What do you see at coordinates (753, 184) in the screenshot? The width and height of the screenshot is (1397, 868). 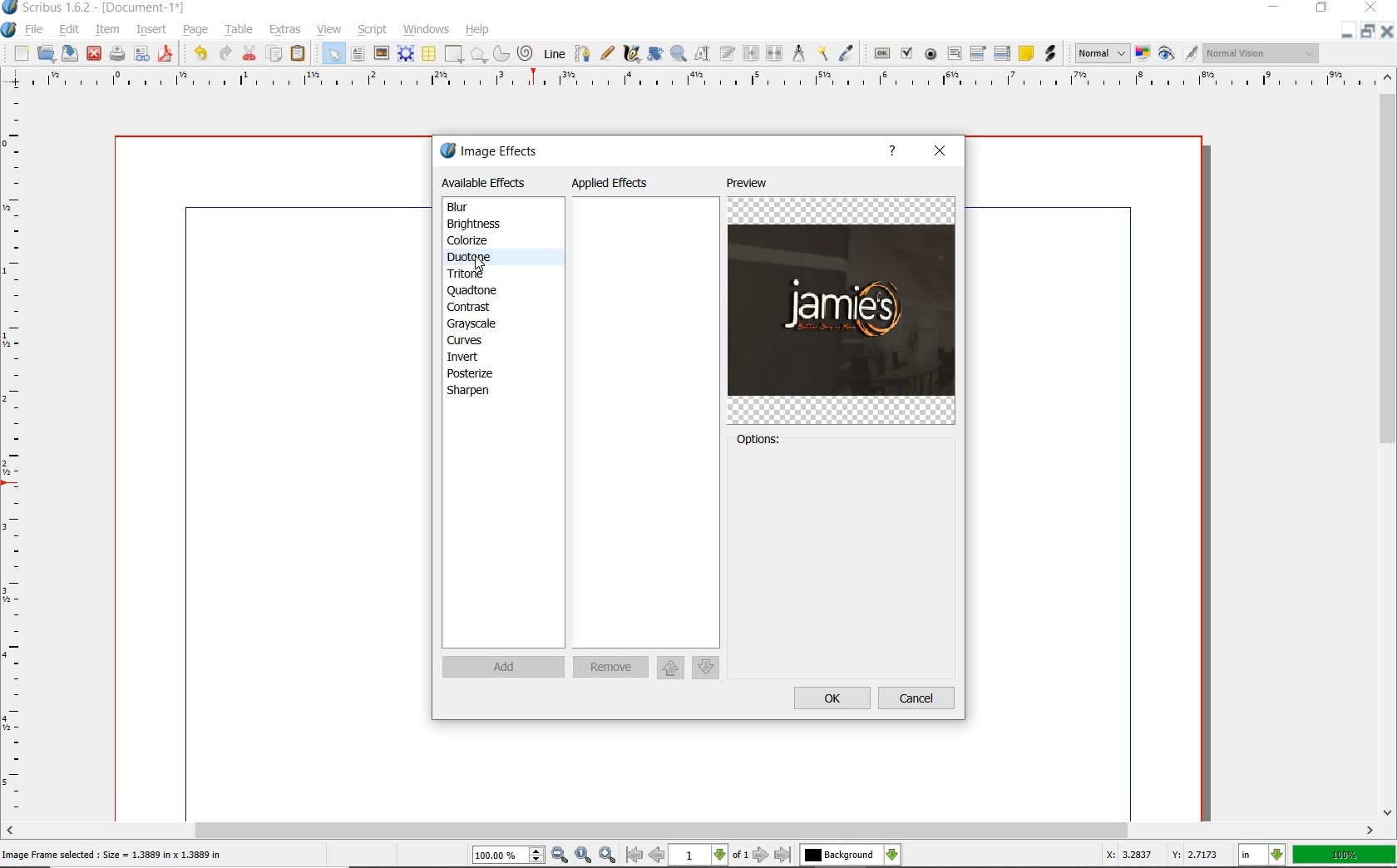 I see `preview` at bounding box center [753, 184].